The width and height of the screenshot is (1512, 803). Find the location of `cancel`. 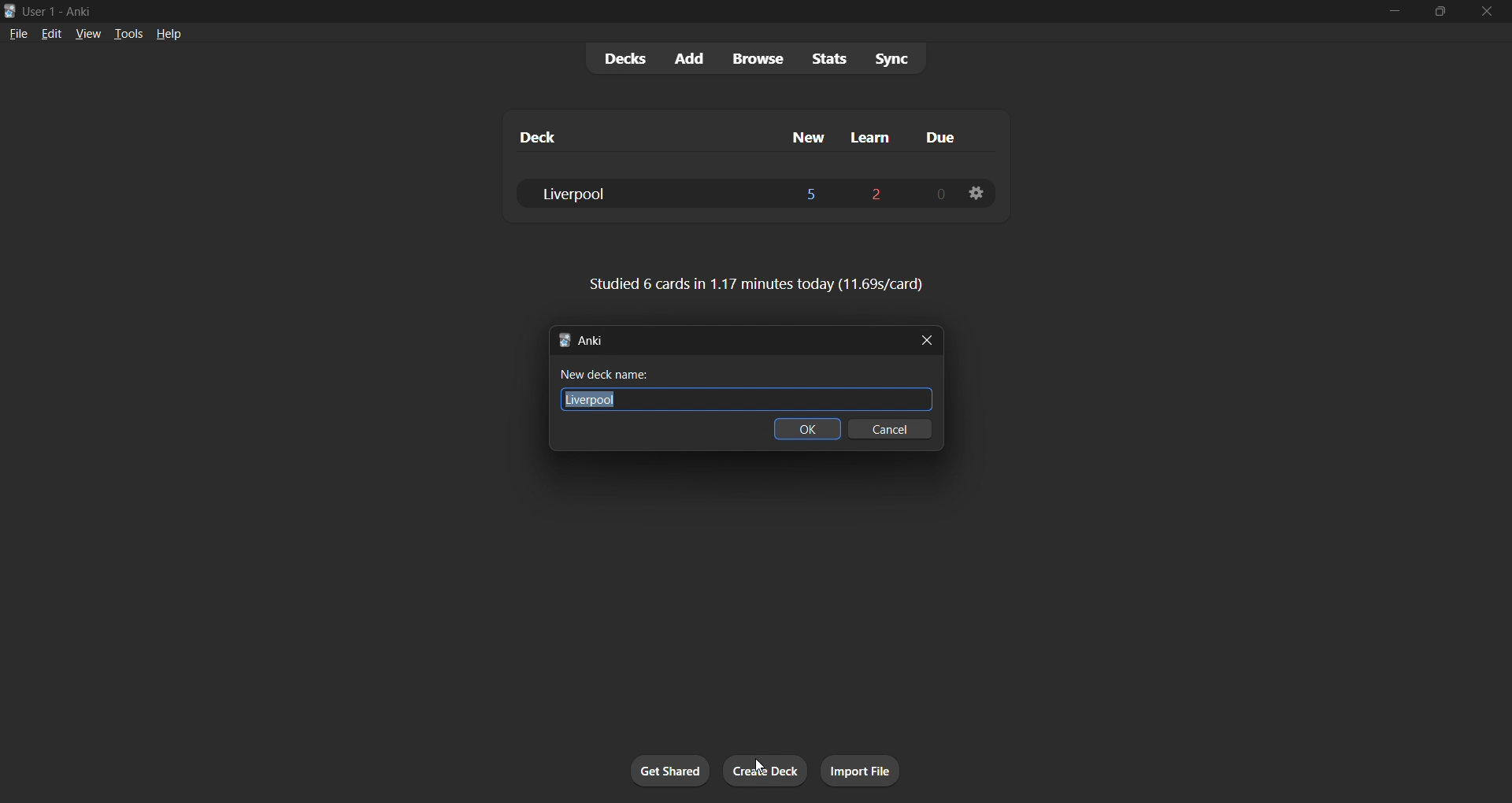

cancel is located at coordinates (888, 434).